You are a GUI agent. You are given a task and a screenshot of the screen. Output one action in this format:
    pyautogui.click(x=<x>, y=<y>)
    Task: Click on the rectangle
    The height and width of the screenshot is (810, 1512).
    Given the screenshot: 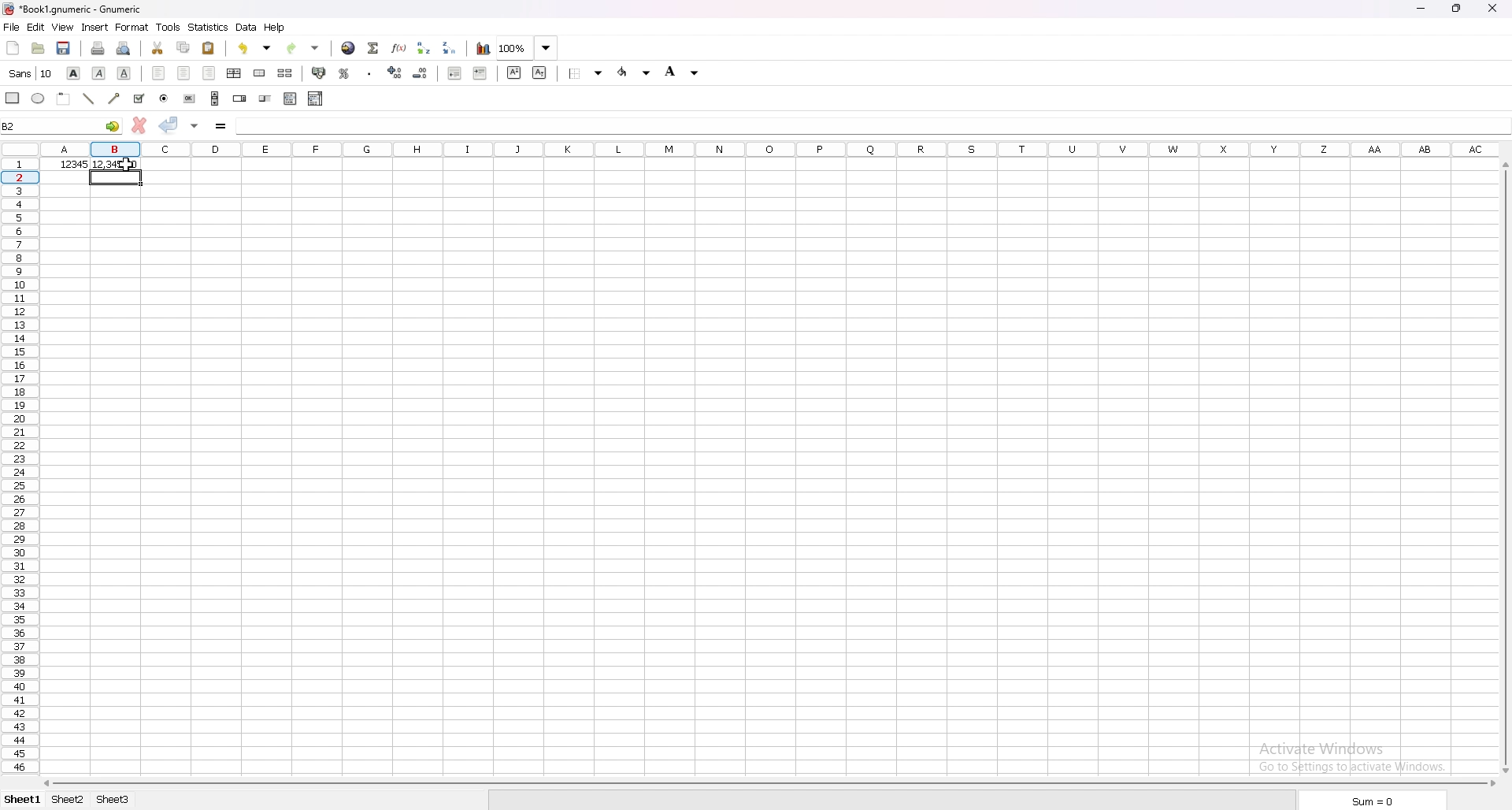 What is the action you would take?
    pyautogui.click(x=15, y=95)
    